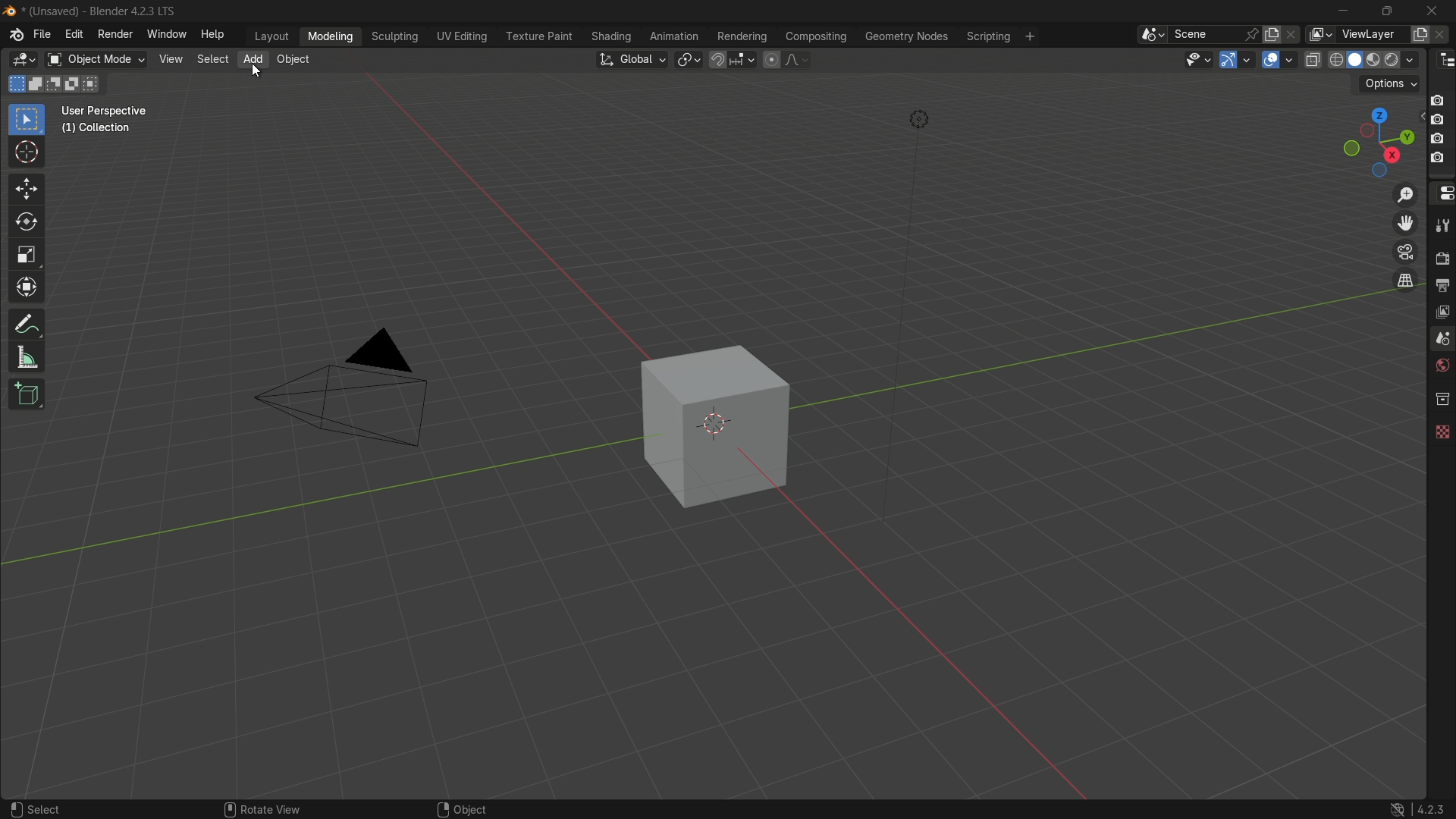  What do you see at coordinates (1441, 399) in the screenshot?
I see `collections` at bounding box center [1441, 399].